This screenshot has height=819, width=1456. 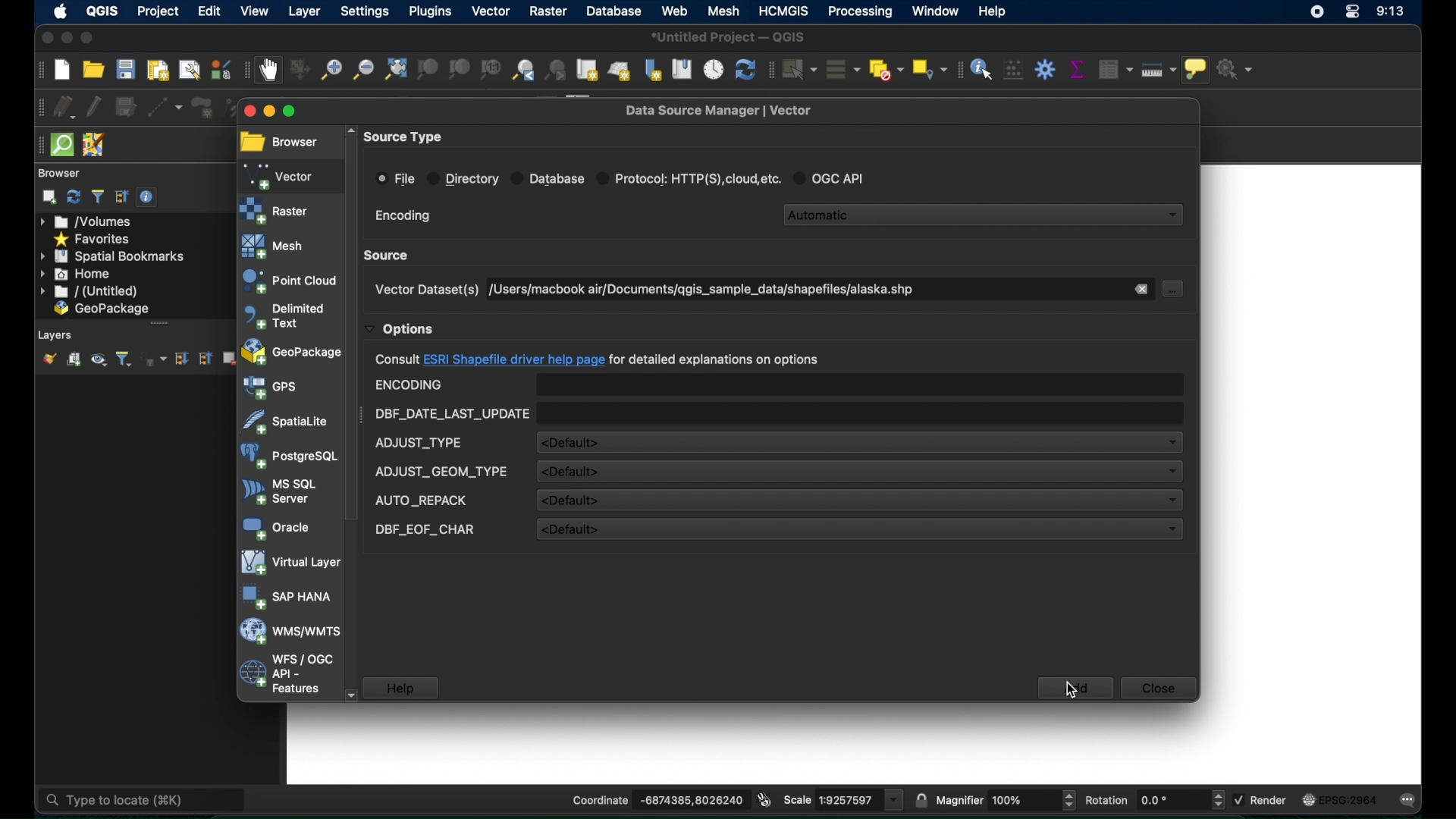 What do you see at coordinates (420, 501) in the screenshot?
I see `auto_repack` at bounding box center [420, 501].